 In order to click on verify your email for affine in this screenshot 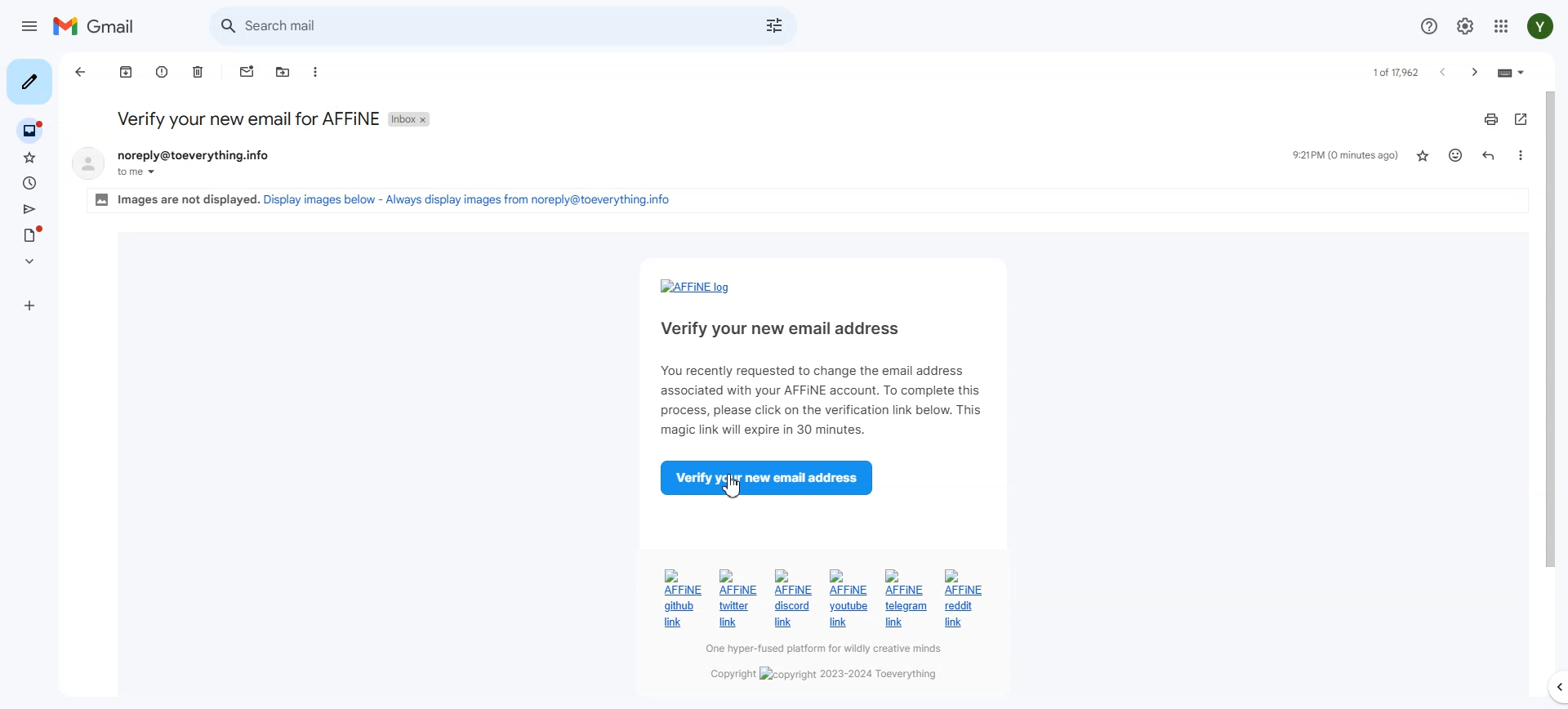, I will do `click(243, 118)`.